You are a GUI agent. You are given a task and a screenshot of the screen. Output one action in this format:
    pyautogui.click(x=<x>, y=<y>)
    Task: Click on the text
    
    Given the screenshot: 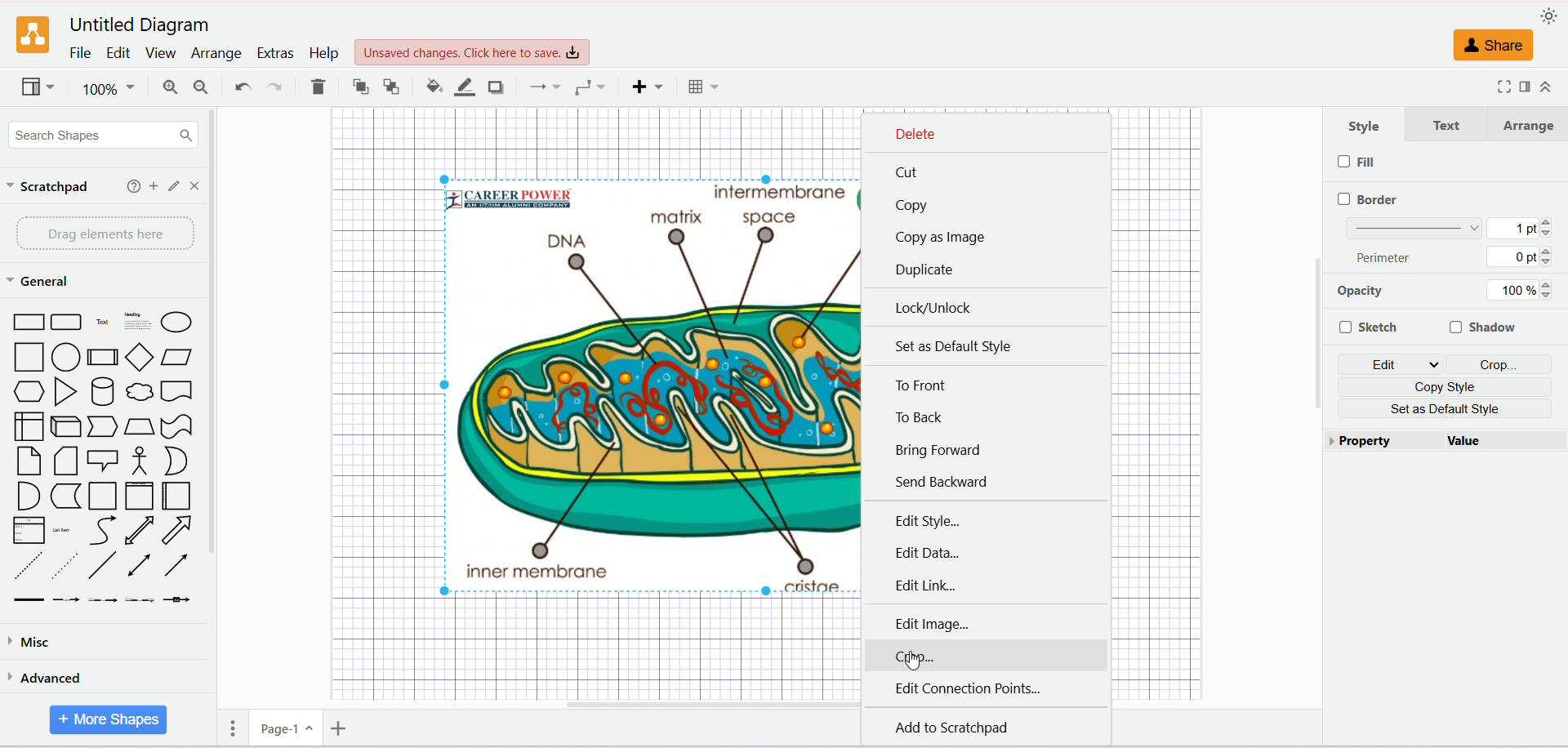 What is the action you would take?
    pyautogui.click(x=1454, y=124)
    